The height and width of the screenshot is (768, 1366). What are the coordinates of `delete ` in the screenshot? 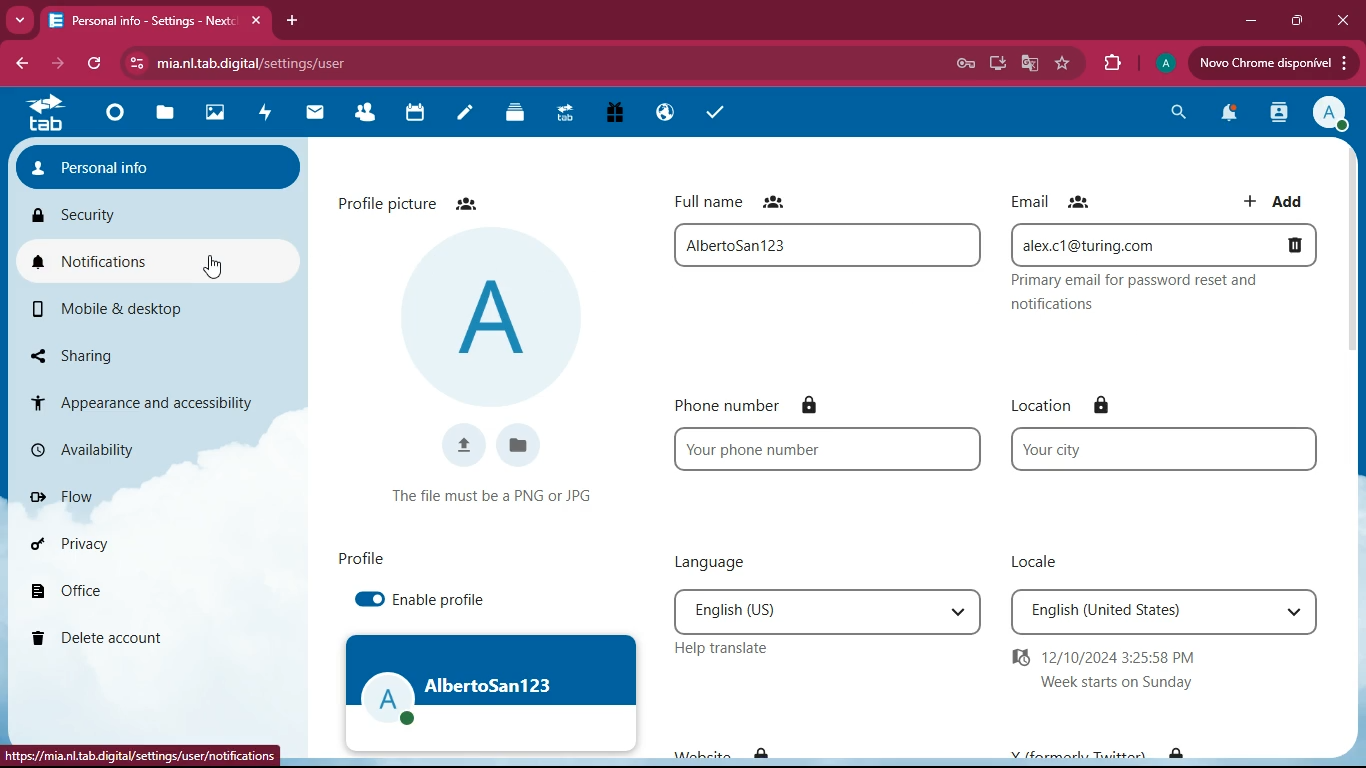 It's located at (128, 639).